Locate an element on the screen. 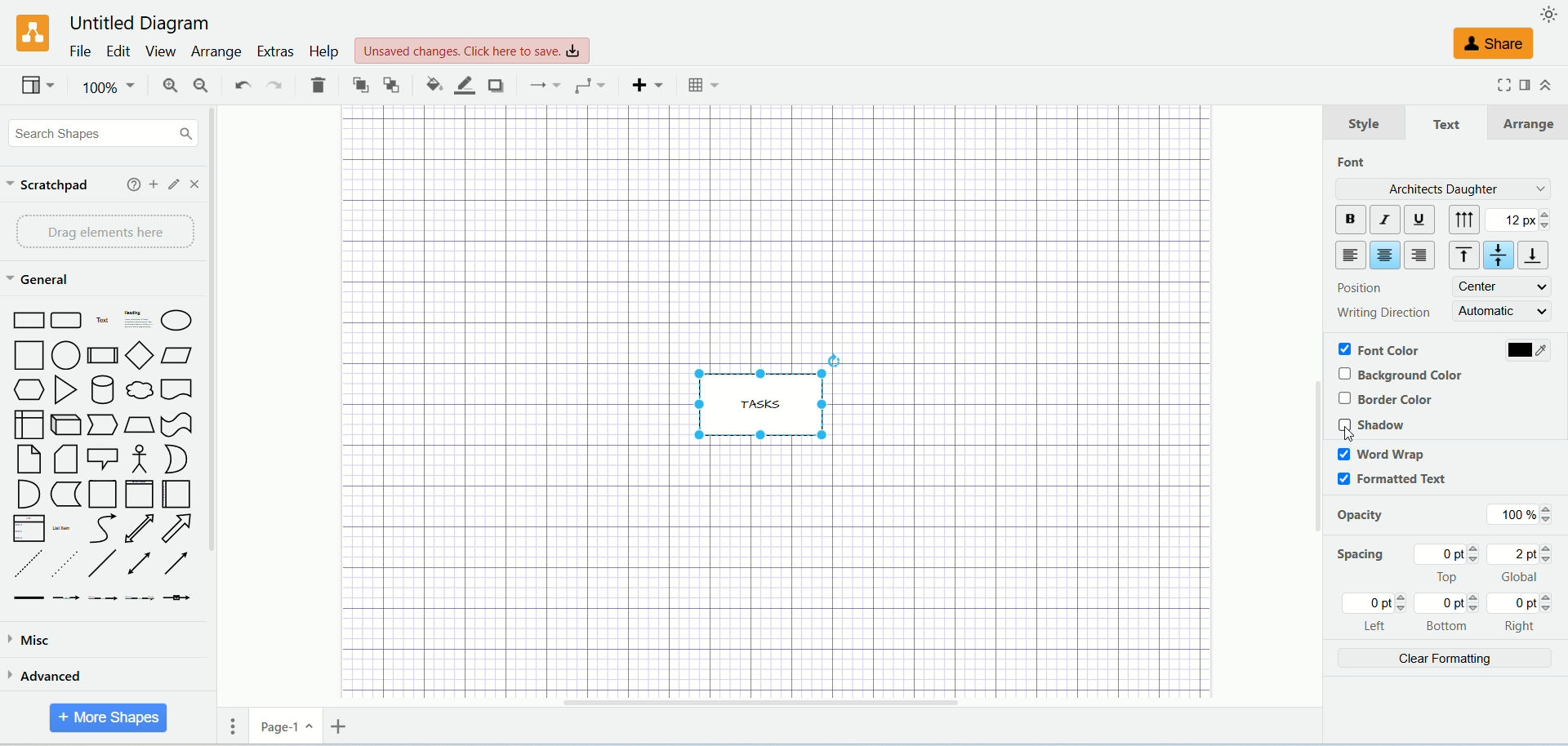  Square  is located at coordinates (27, 355).